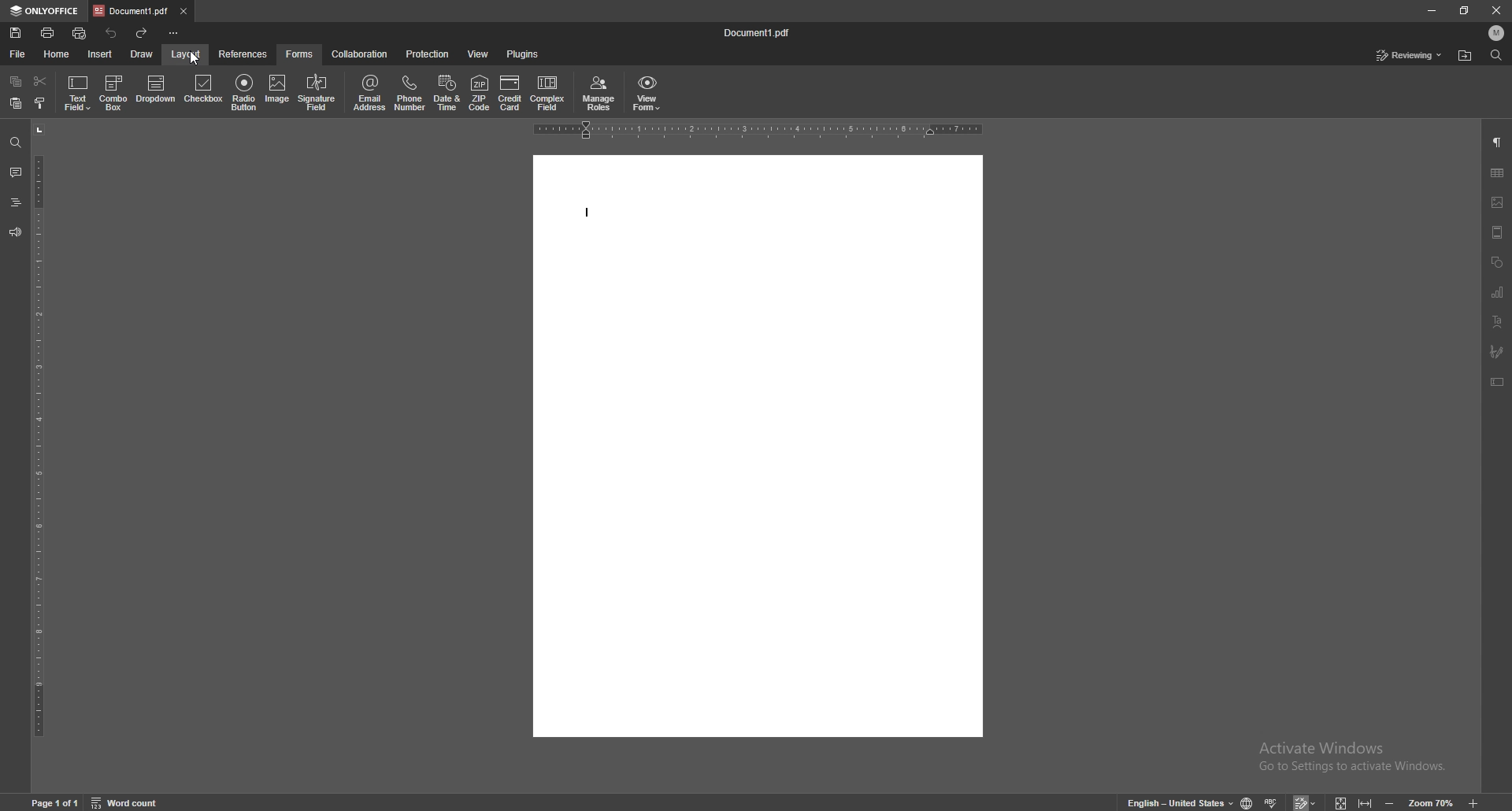 This screenshot has height=811, width=1512. What do you see at coordinates (173, 32) in the screenshot?
I see `customize toolbar` at bounding box center [173, 32].